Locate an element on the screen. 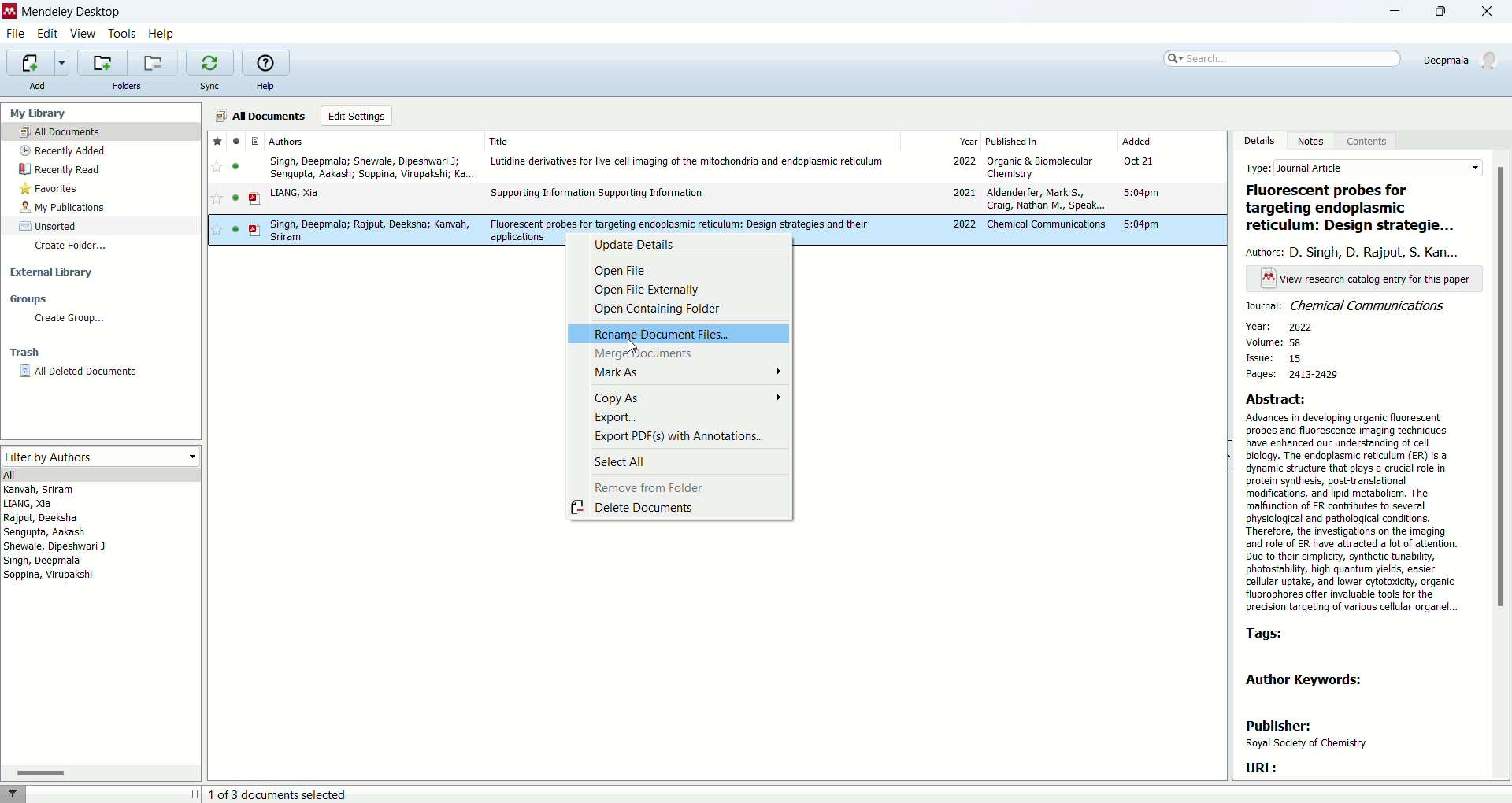 Image resolution: width=1512 pixels, height=803 pixels. remove from folder is located at coordinates (676, 487).